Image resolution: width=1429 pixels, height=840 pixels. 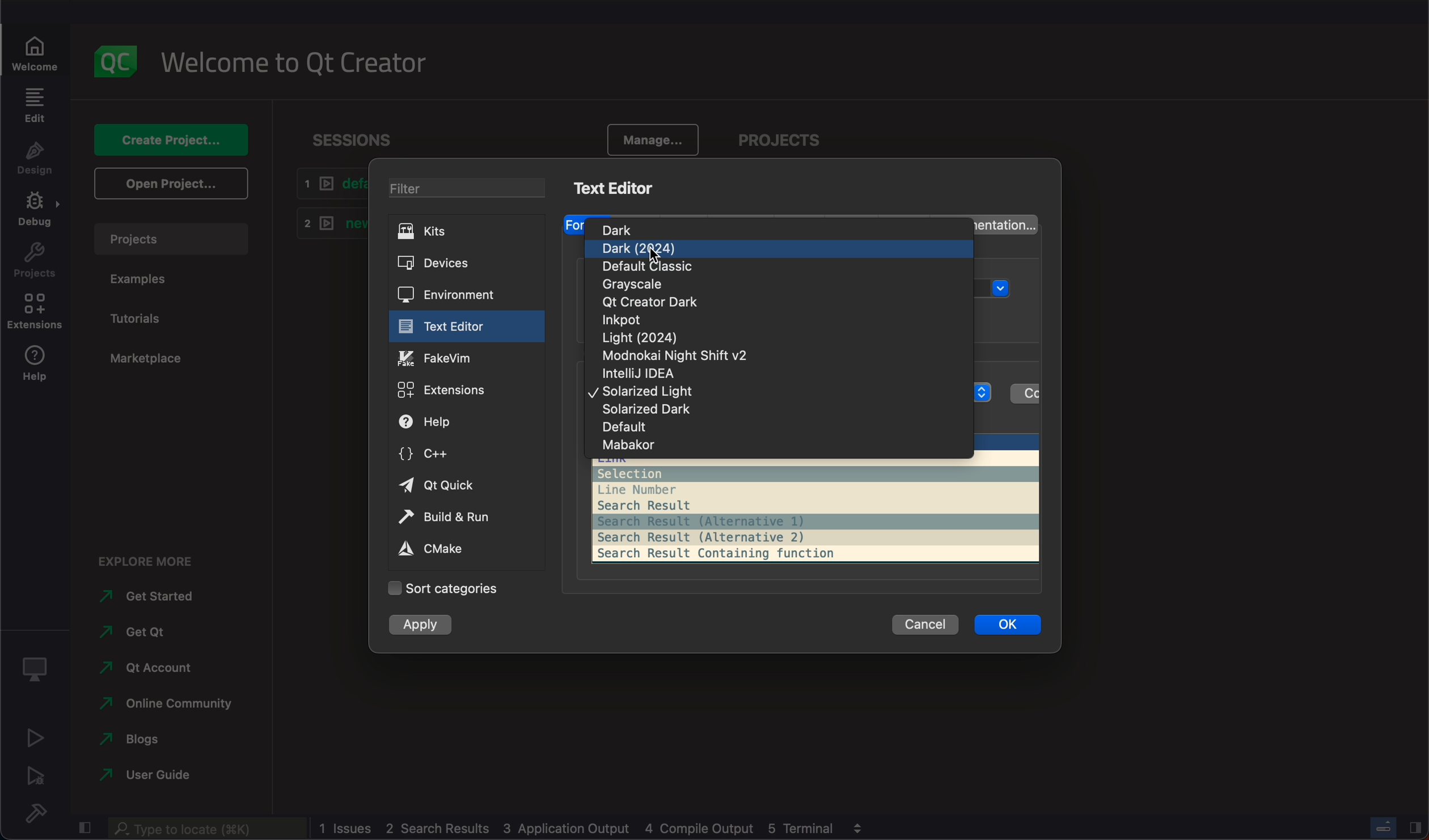 What do you see at coordinates (669, 285) in the screenshot?
I see `grayscale` at bounding box center [669, 285].